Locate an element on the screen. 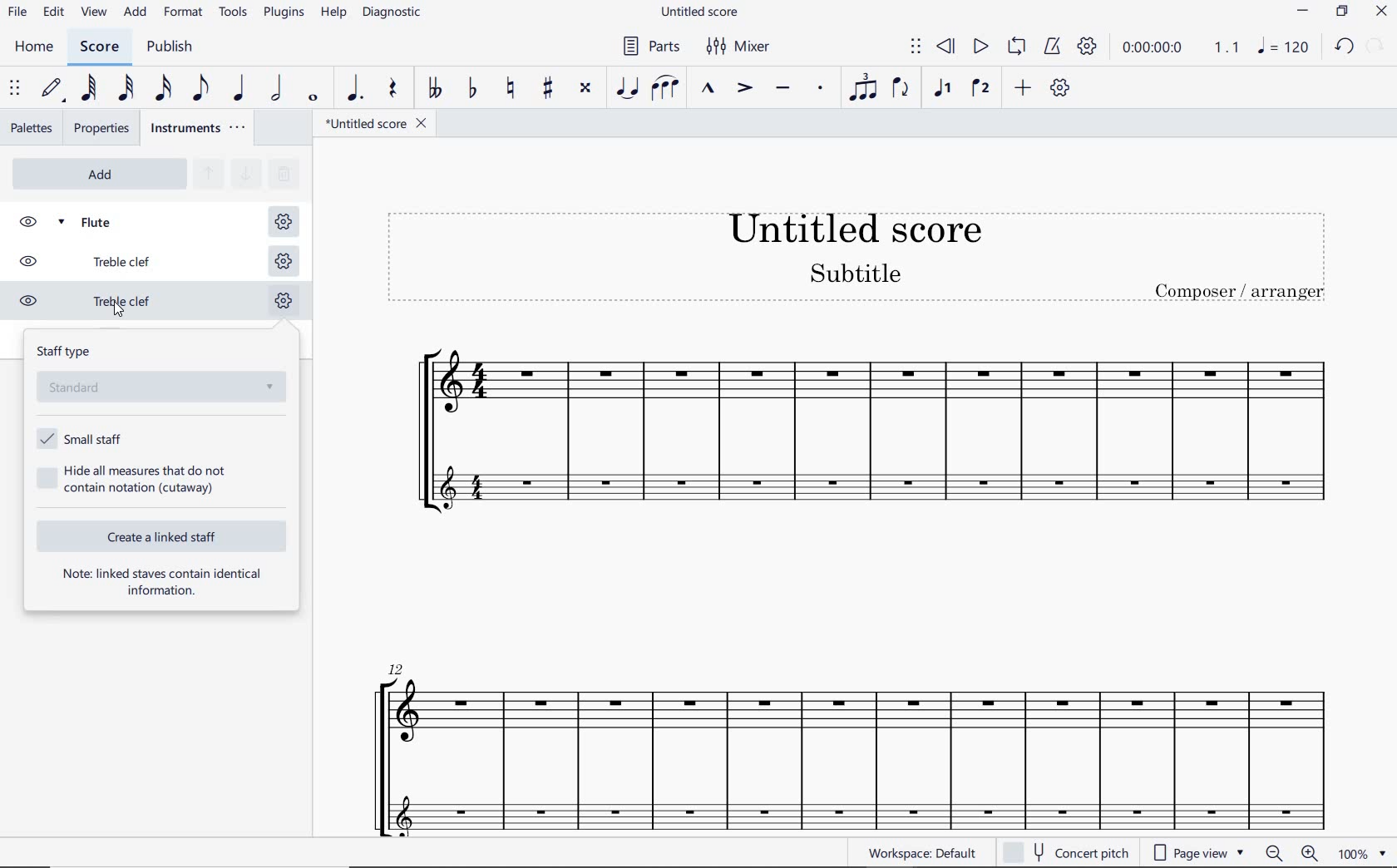 The width and height of the screenshot is (1397, 868). file name is located at coordinates (375, 124).